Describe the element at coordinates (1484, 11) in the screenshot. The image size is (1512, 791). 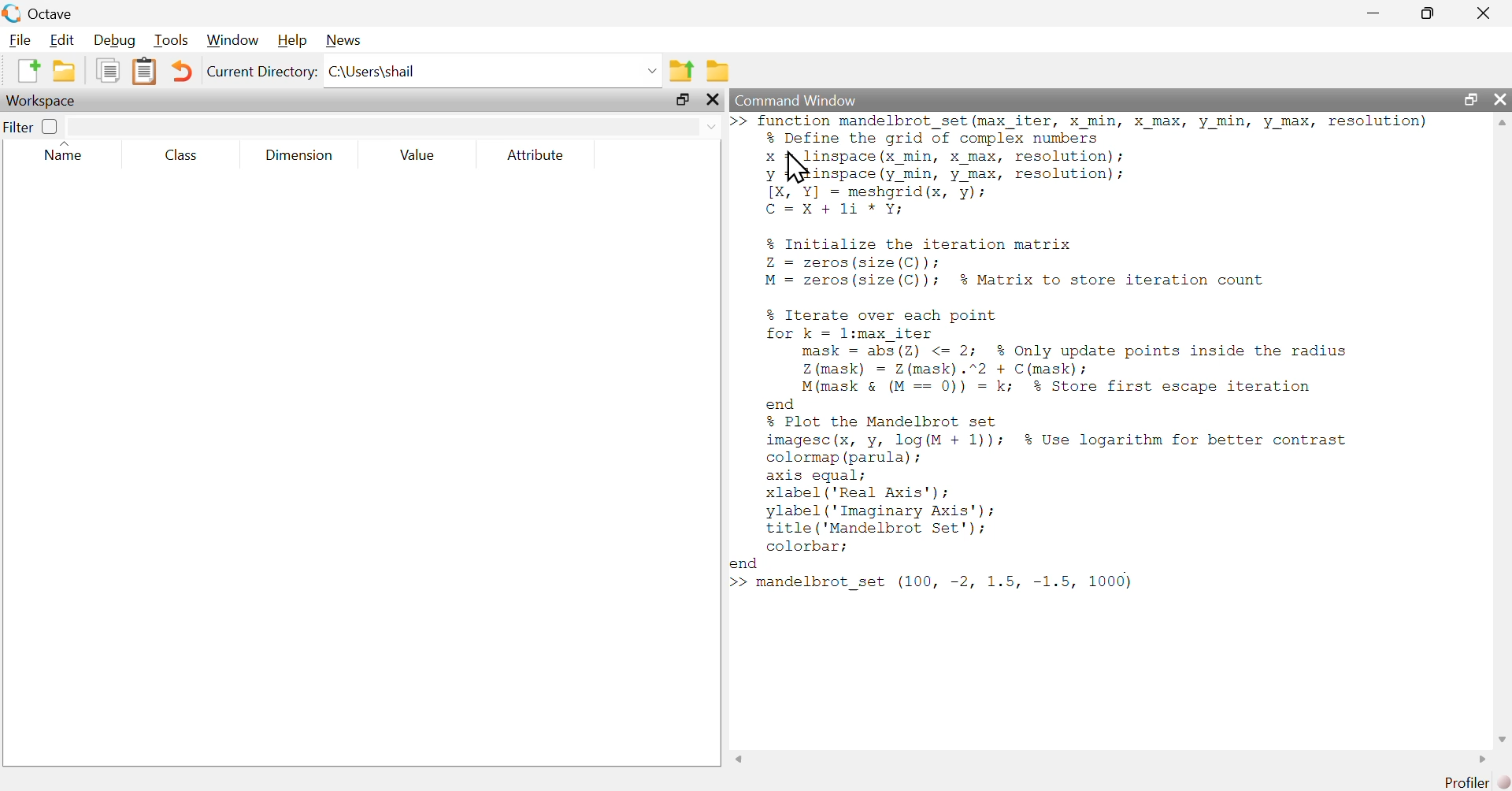
I see `close` at that location.